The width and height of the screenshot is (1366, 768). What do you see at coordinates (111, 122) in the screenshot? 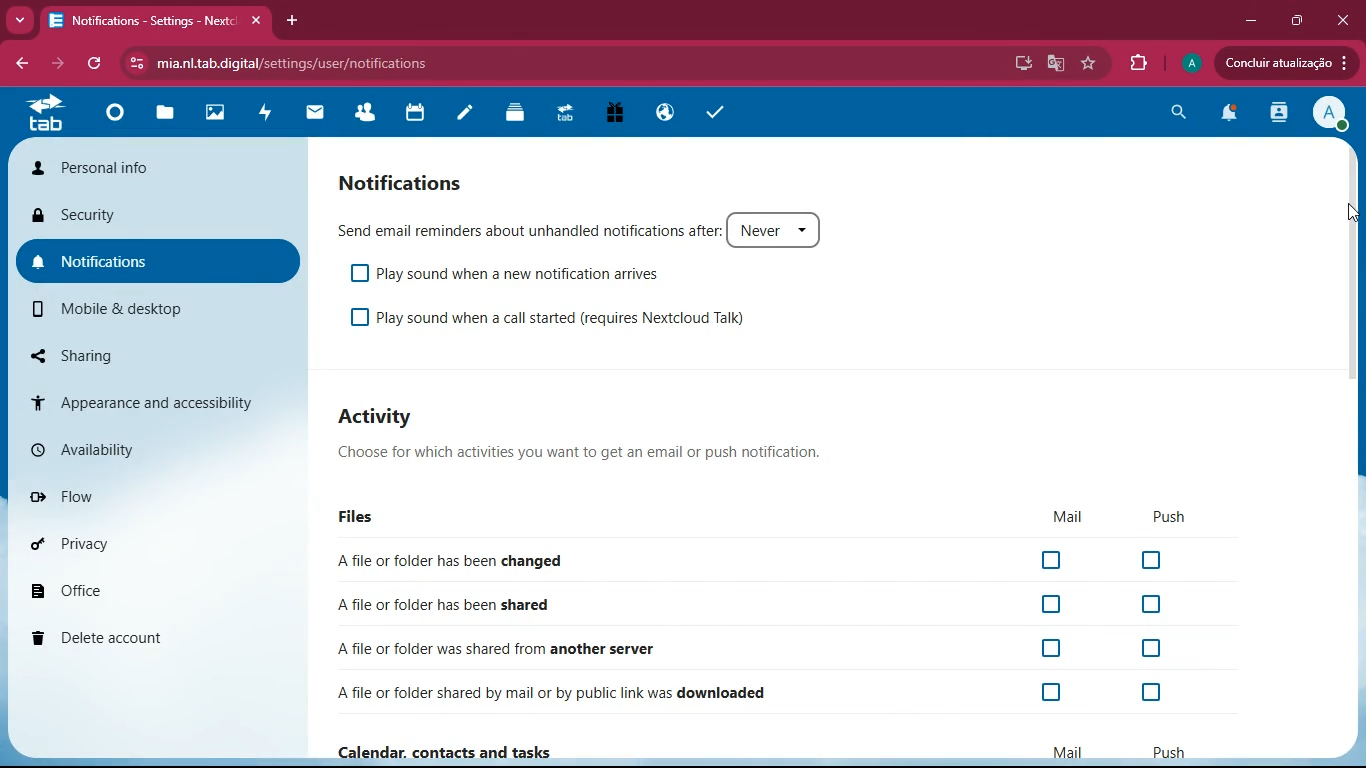
I see `home` at bounding box center [111, 122].